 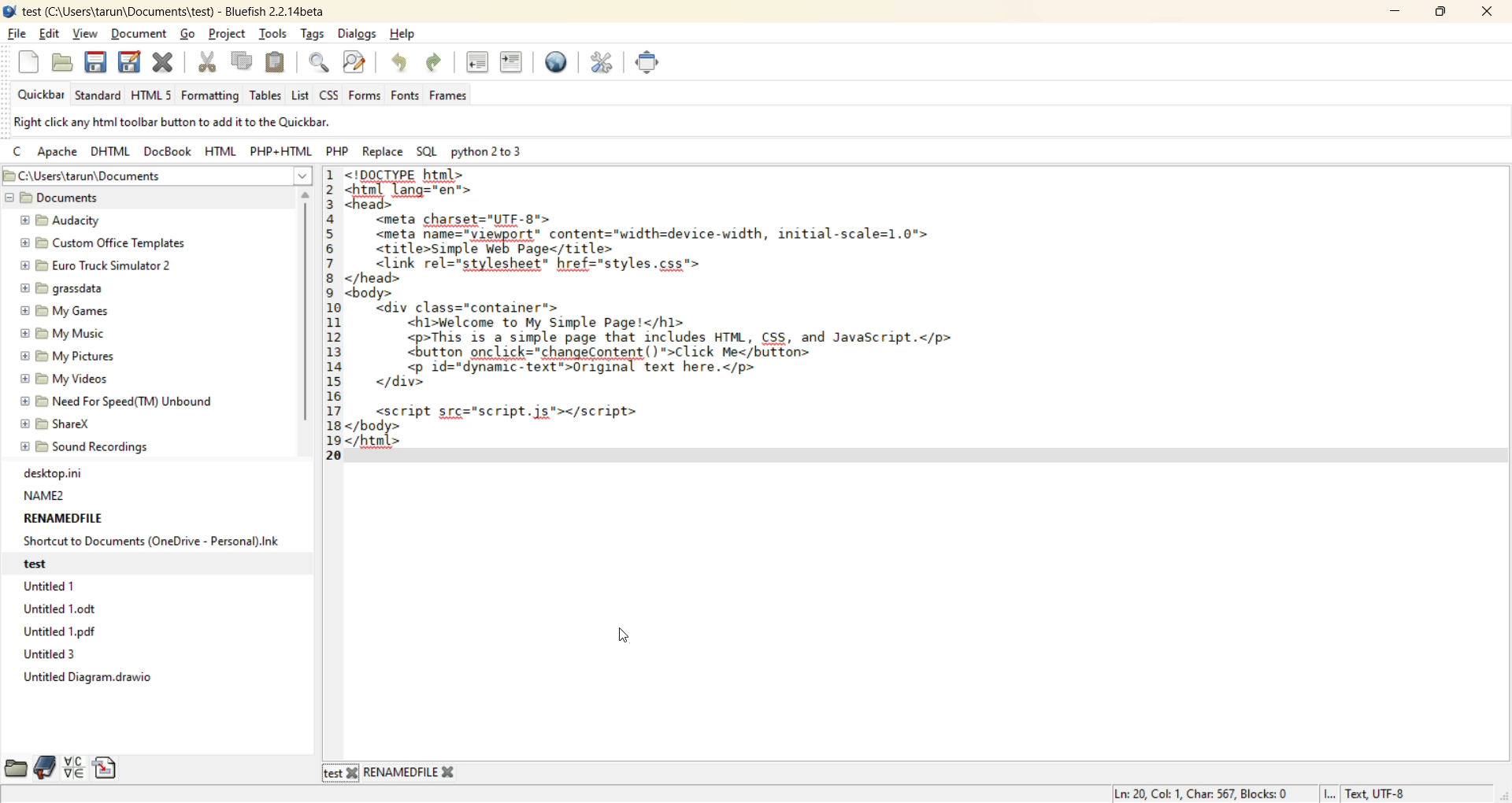 What do you see at coordinates (306, 179) in the screenshot?
I see `show more` at bounding box center [306, 179].